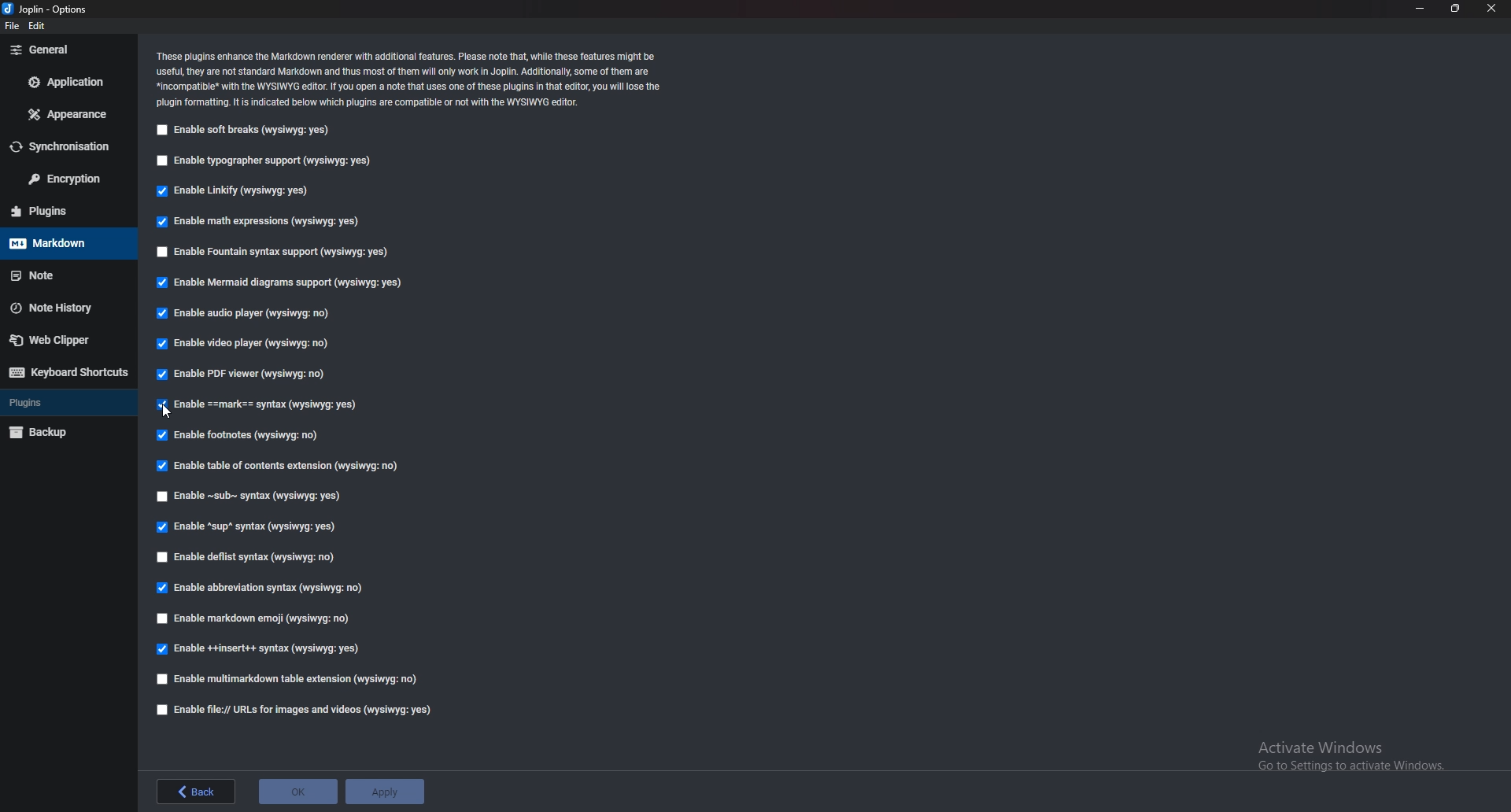  What do you see at coordinates (253, 498) in the screenshot?
I see `Enable sub syntax` at bounding box center [253, 498].